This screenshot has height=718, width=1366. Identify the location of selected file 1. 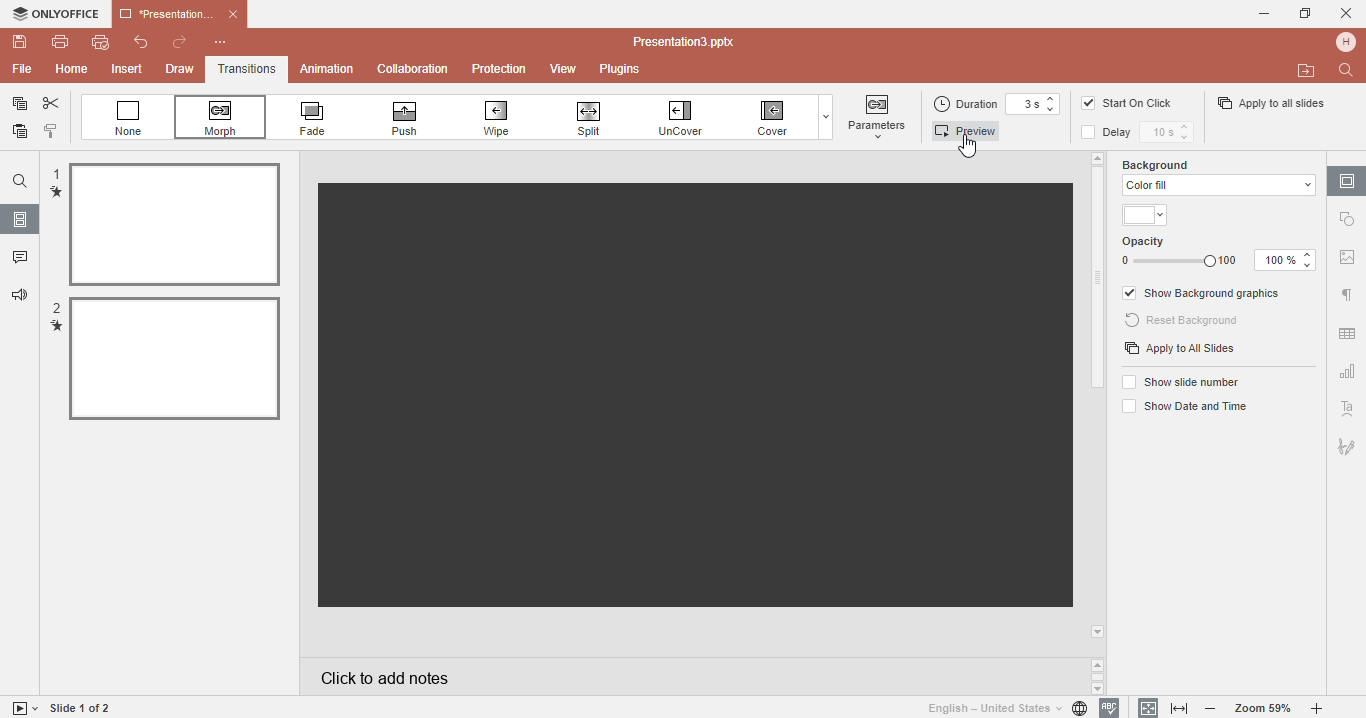
(174, 225).